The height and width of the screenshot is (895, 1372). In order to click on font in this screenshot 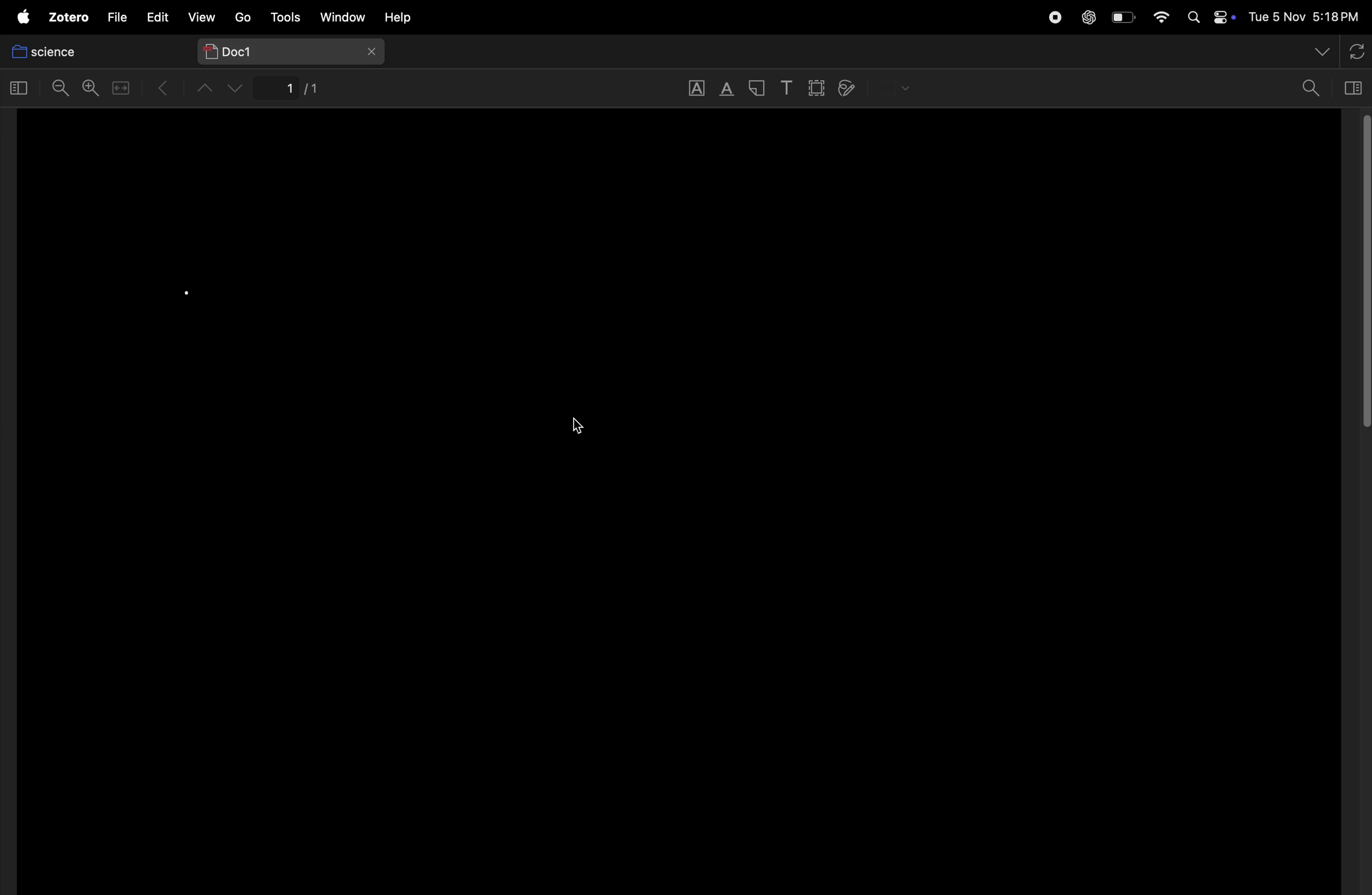, I will do `click(699, 89)`.